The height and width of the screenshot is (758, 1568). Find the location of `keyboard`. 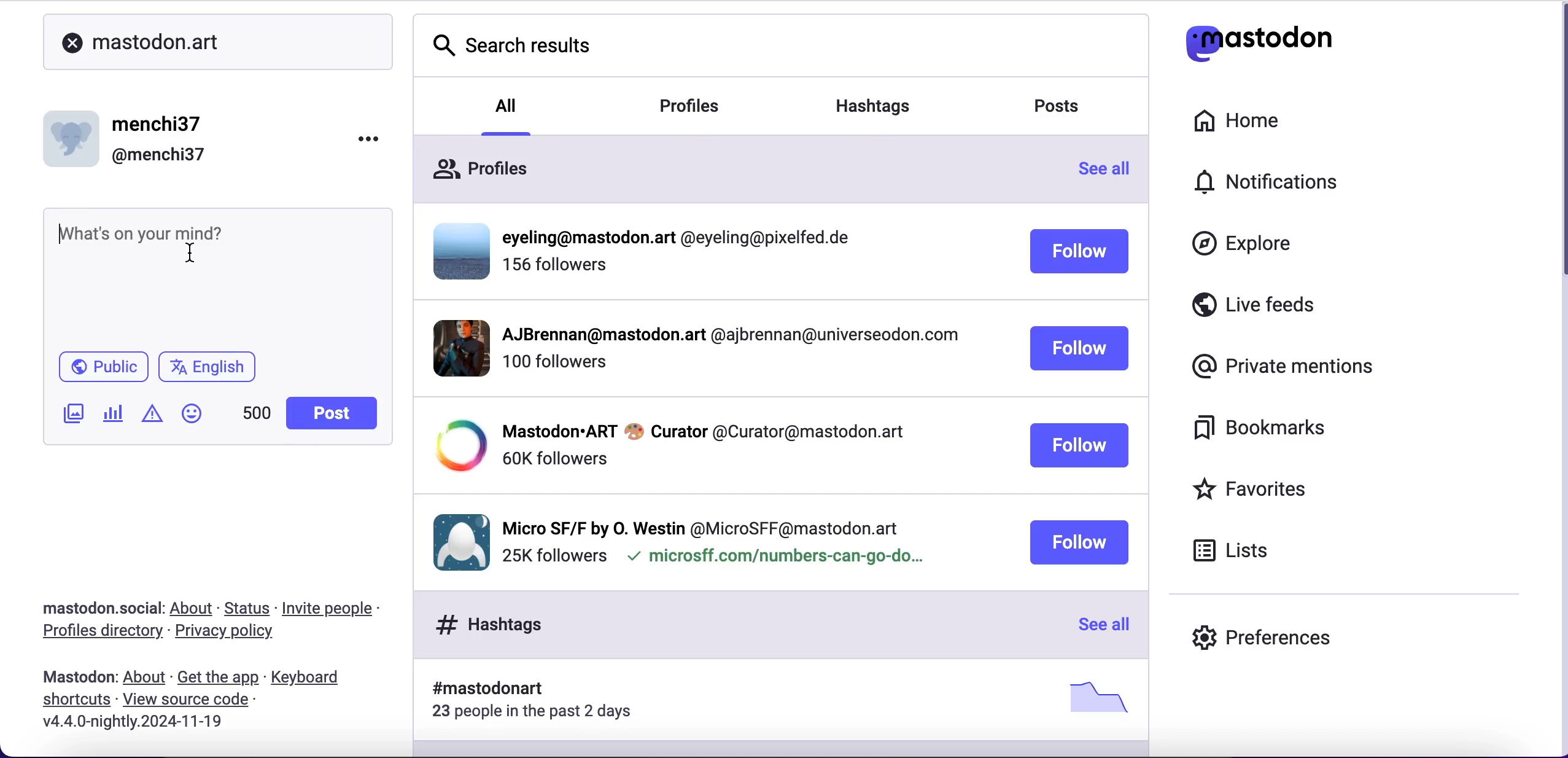

keyboard is located at coordinates (320, 677).